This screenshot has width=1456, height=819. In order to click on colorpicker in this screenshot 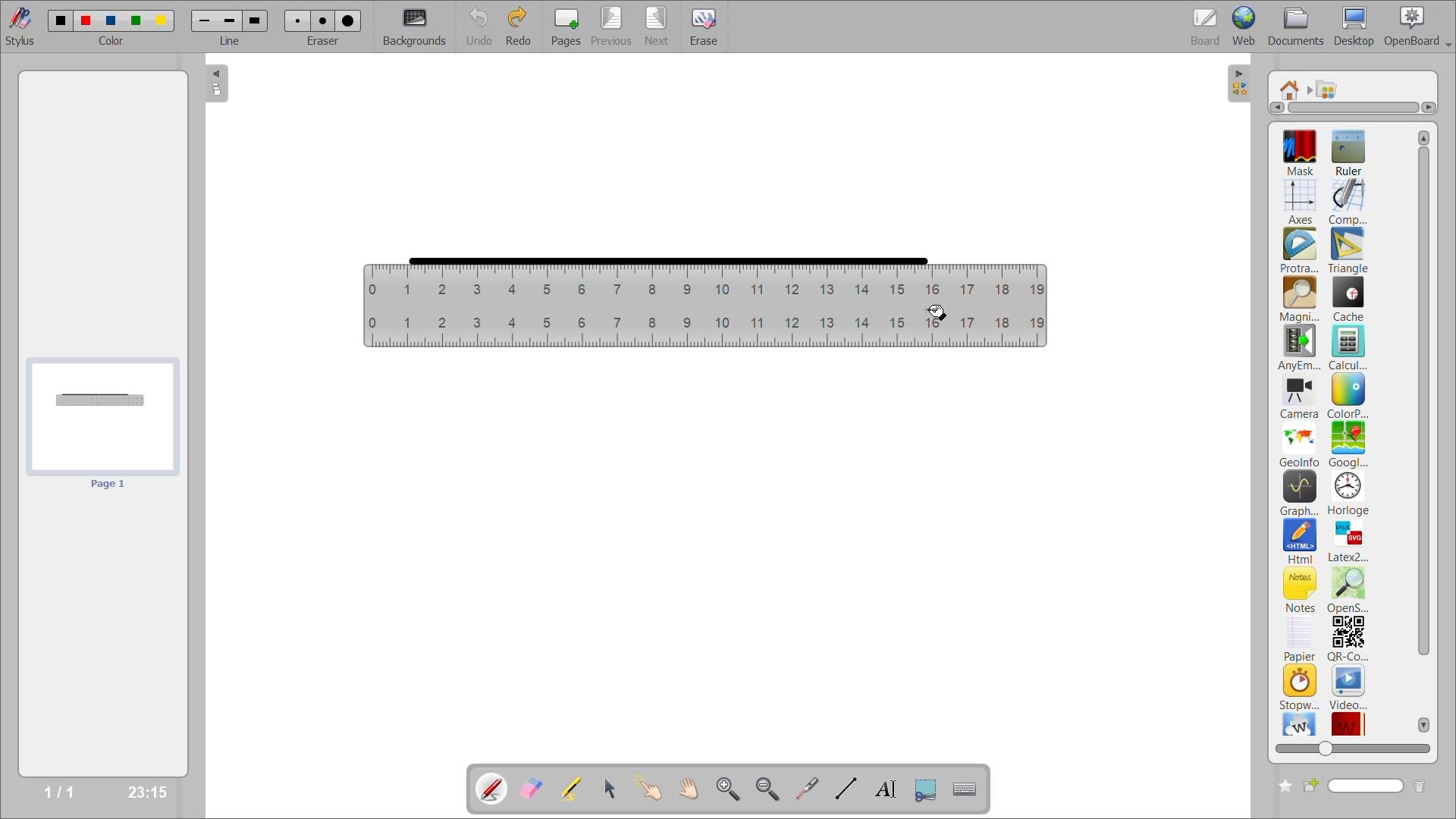, I will do `click(1348, 396)`.